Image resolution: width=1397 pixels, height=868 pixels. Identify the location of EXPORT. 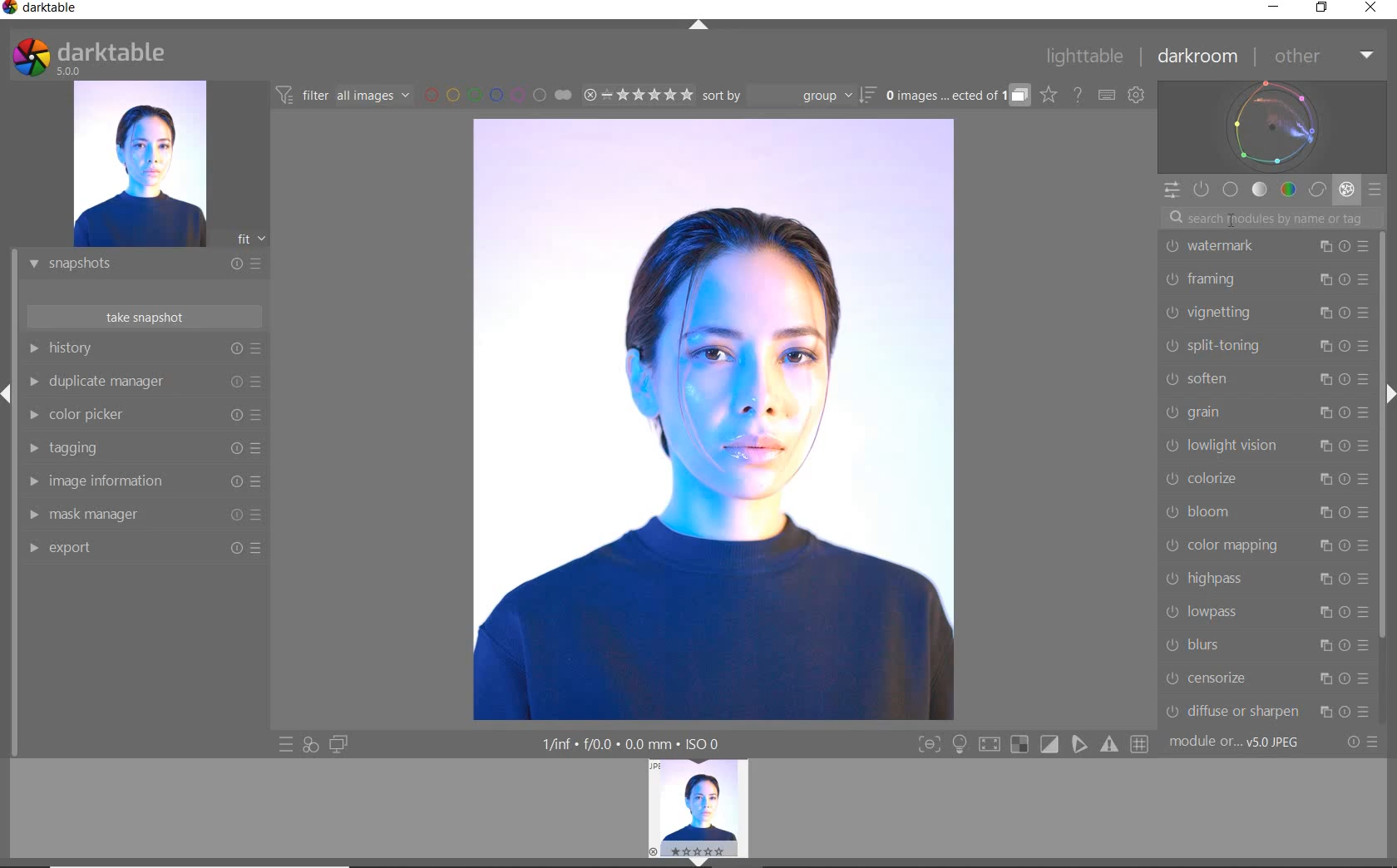
(139, 547).